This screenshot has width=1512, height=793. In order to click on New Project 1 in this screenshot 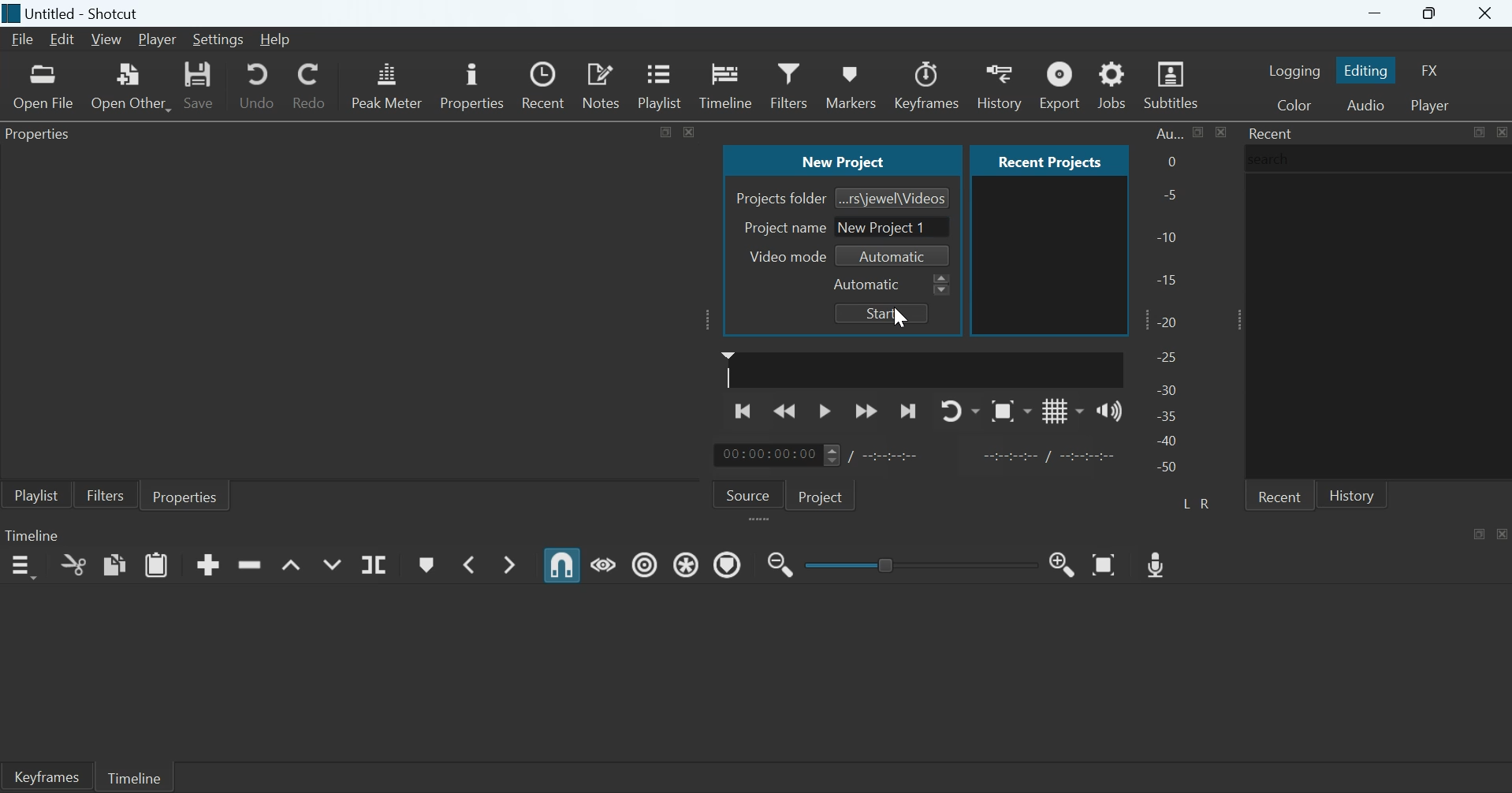, I will do `click(900, 225)`.